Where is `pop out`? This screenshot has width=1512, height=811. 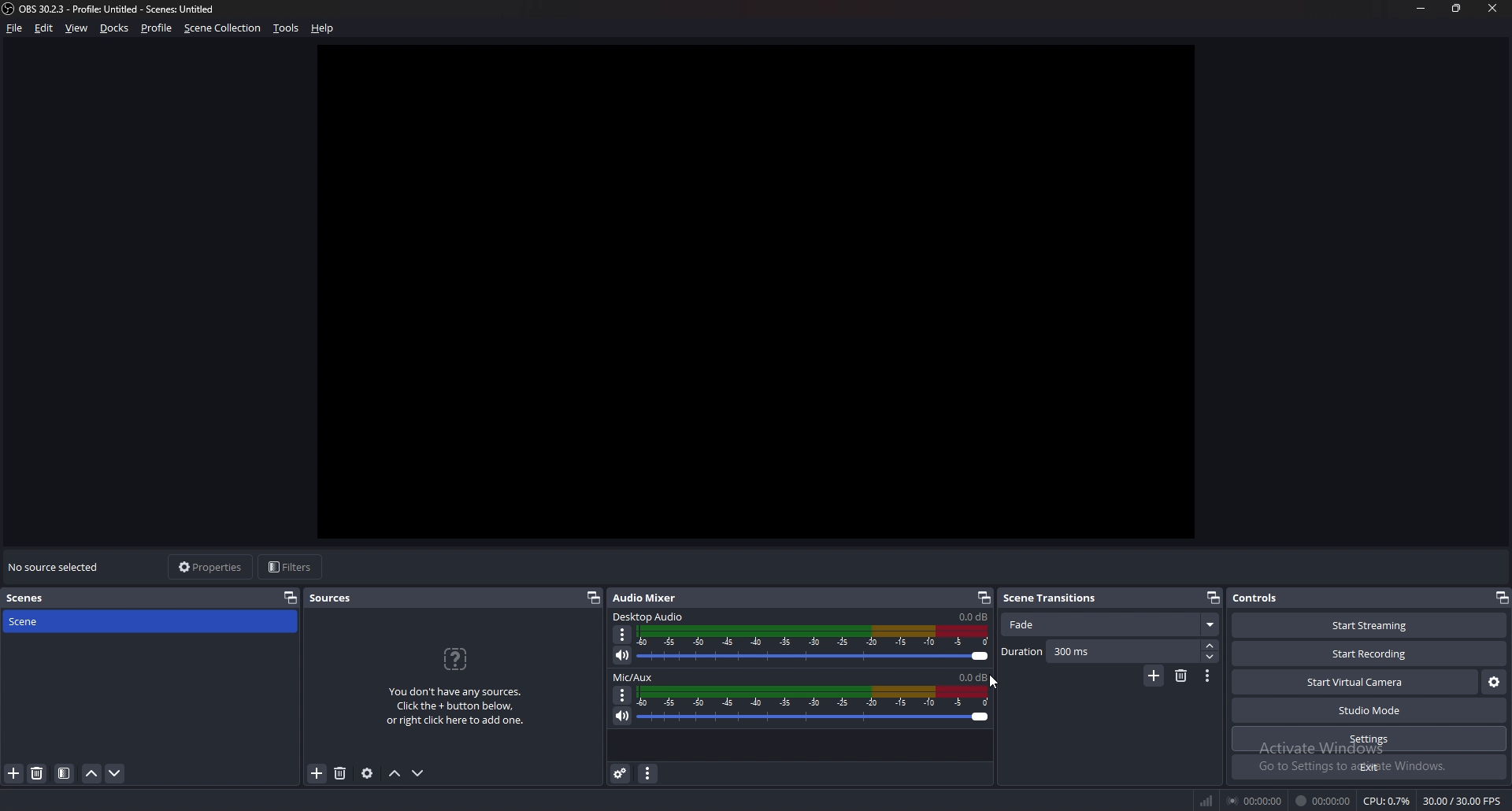 pop out is located at coordinates (1214, 597).